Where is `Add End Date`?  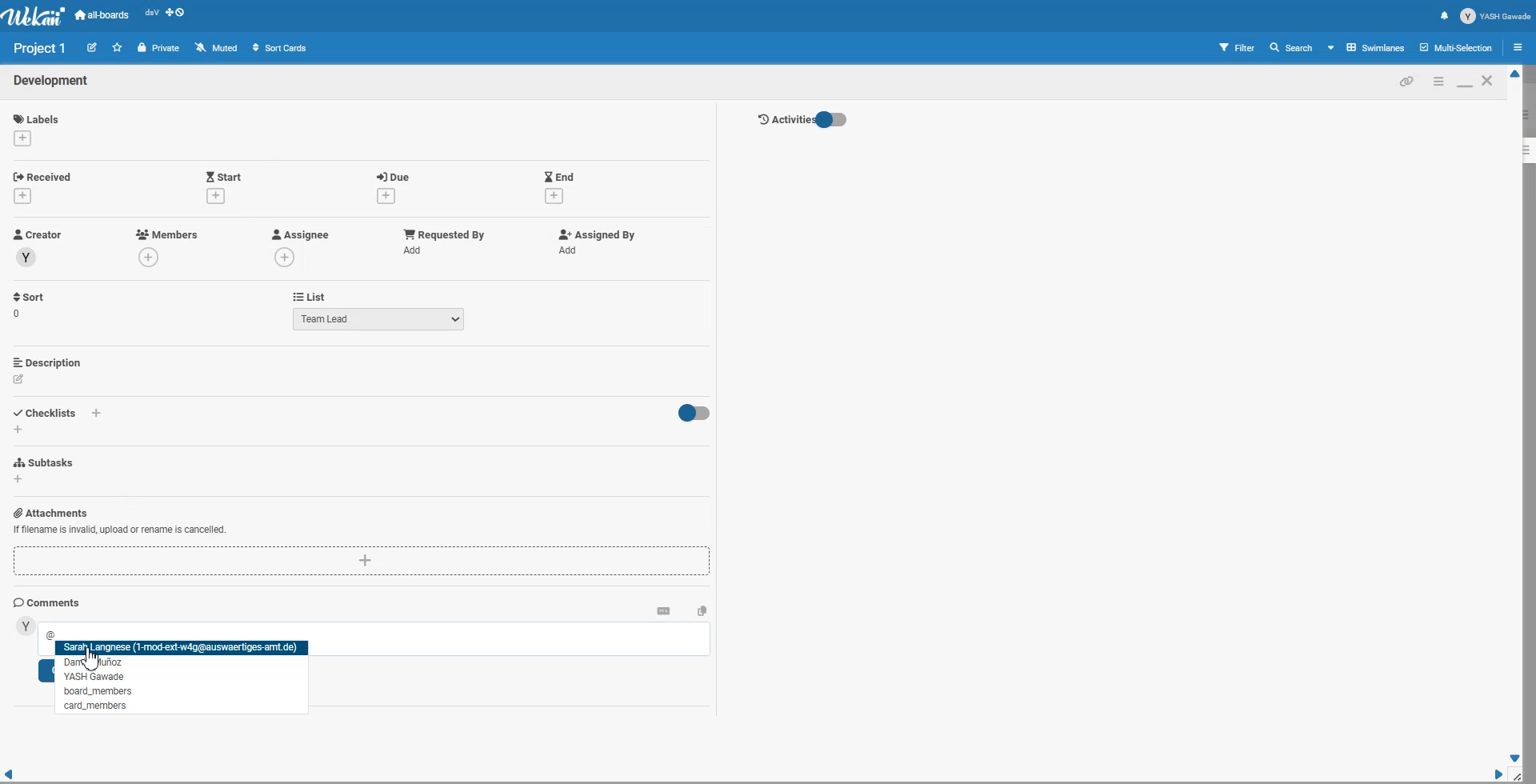 Add End Date is located at coordinates (560, 175).